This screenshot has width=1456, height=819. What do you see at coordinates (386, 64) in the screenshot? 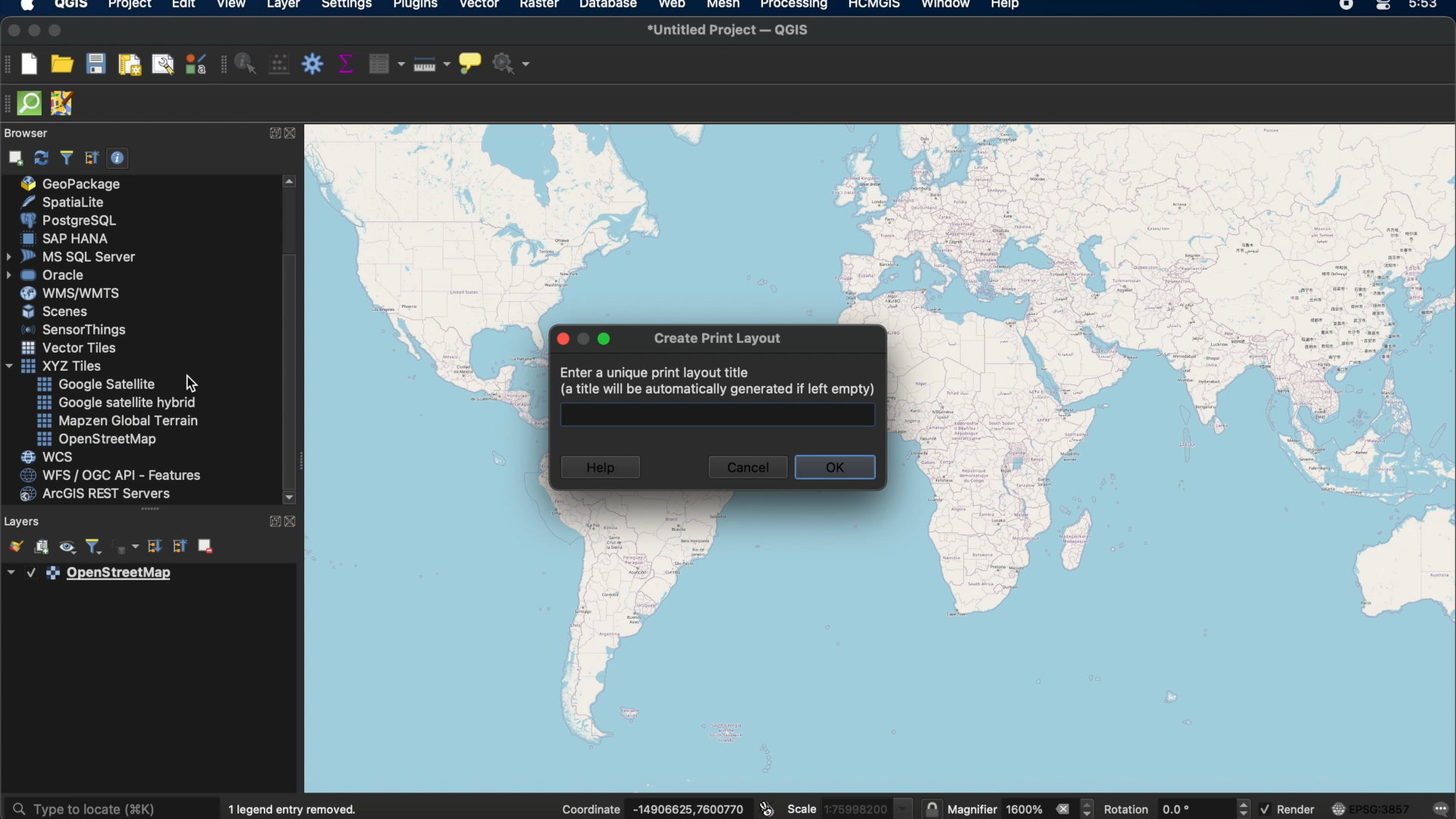
I see `open attribute table` at bounding box center [386, 64].